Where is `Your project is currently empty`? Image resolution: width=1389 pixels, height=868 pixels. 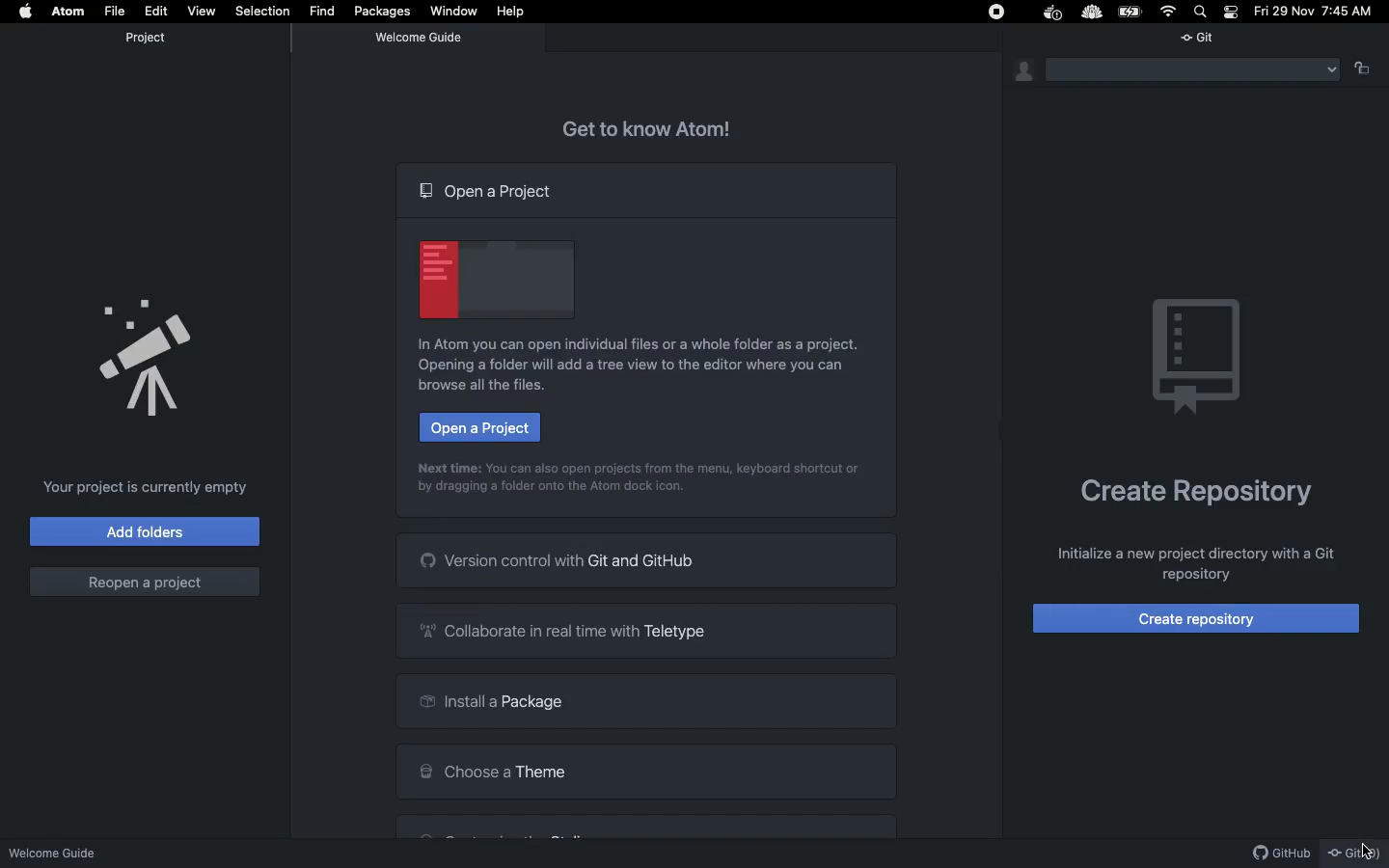 Your project is currently empty is located at coordinates (148, 488).